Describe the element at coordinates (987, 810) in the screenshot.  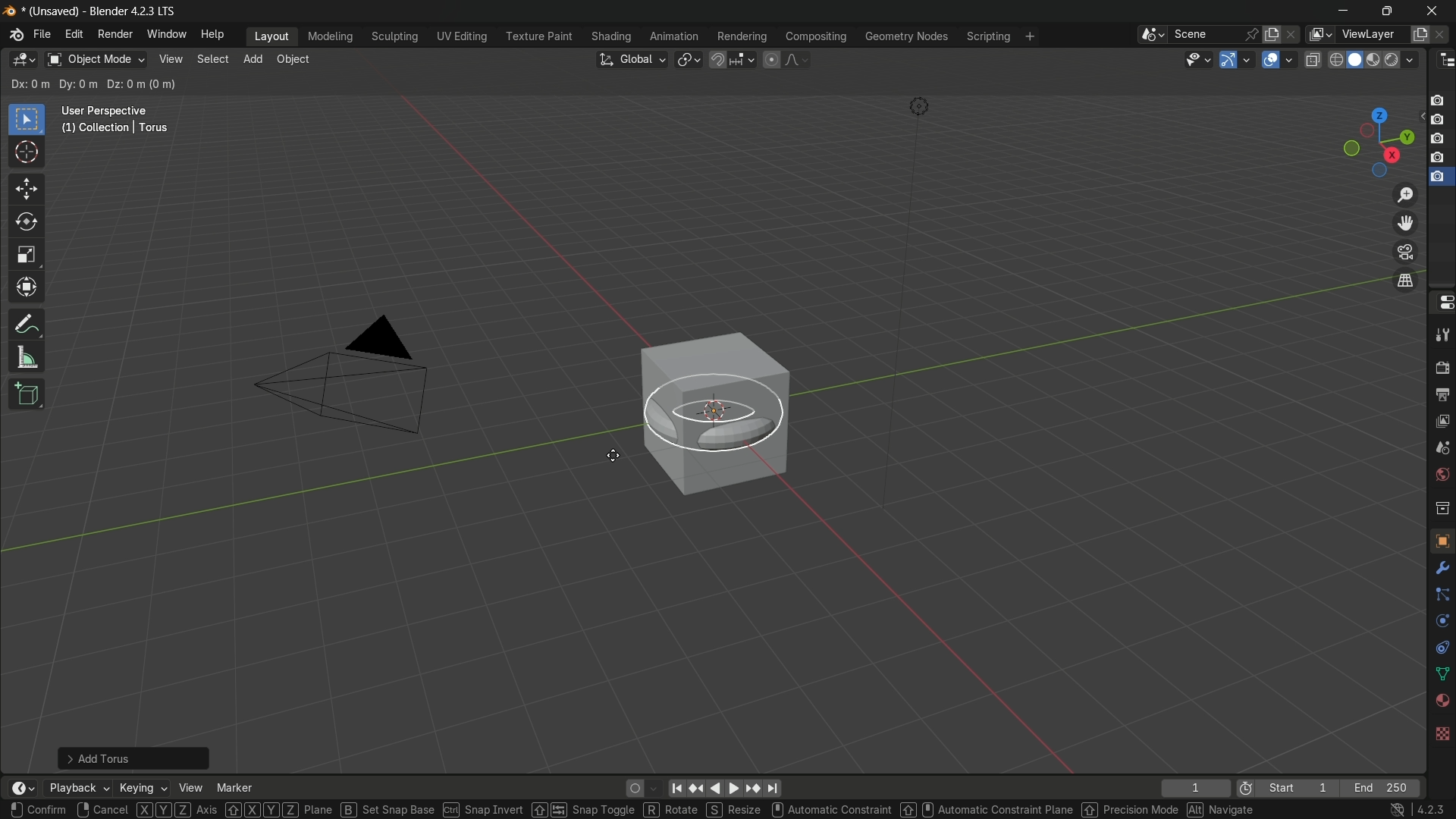
I see `‘Automatic Constraint Plane` at that location.